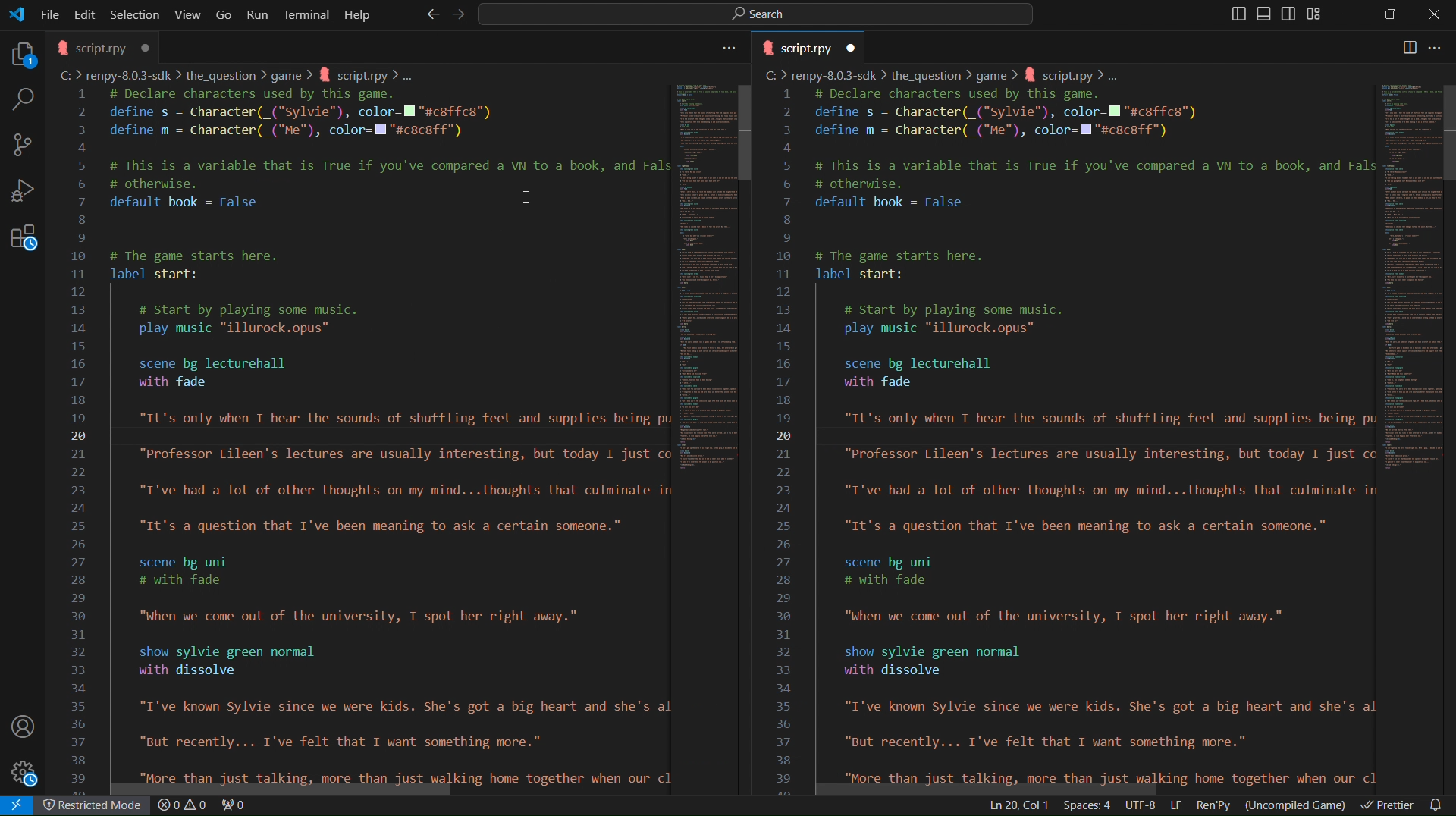  What do you see at coordinates (1447, 131) in the screenshot?
I see `Scrollbar` at bounding box center [1447, 131].